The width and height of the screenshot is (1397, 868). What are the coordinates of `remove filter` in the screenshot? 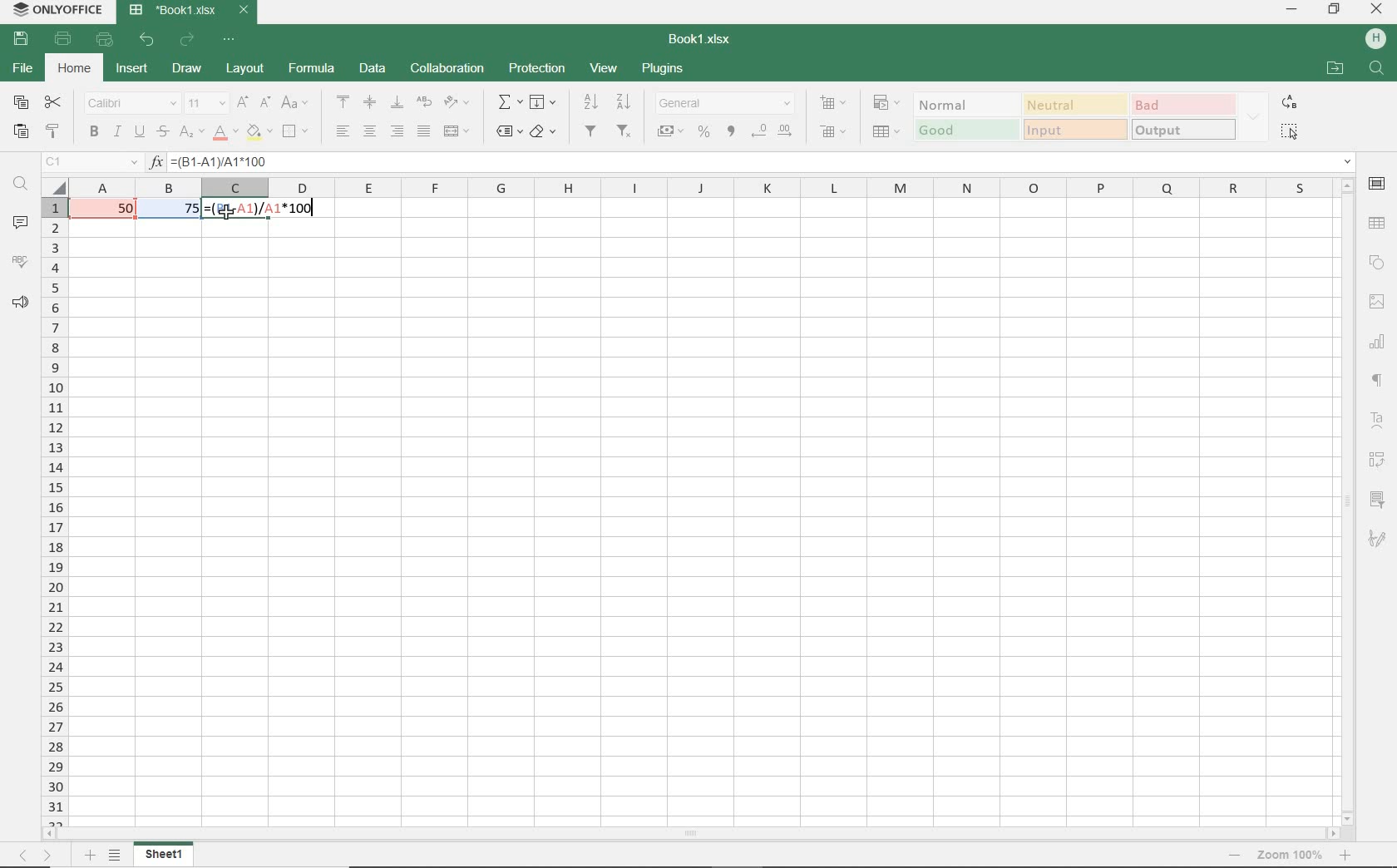 It's located at (624, 132).